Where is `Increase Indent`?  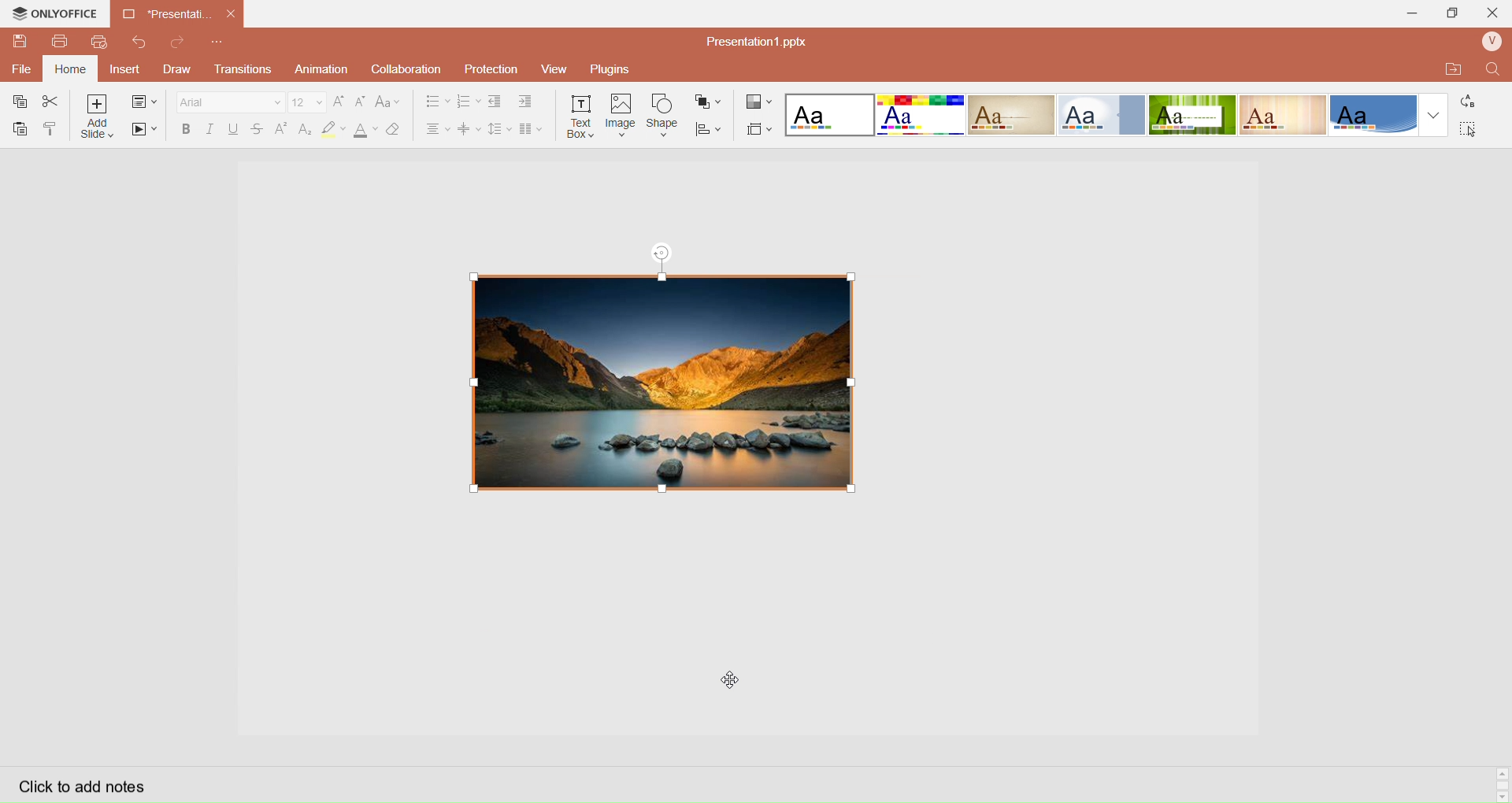
Increase Indent is located at coordinates (526, 101).